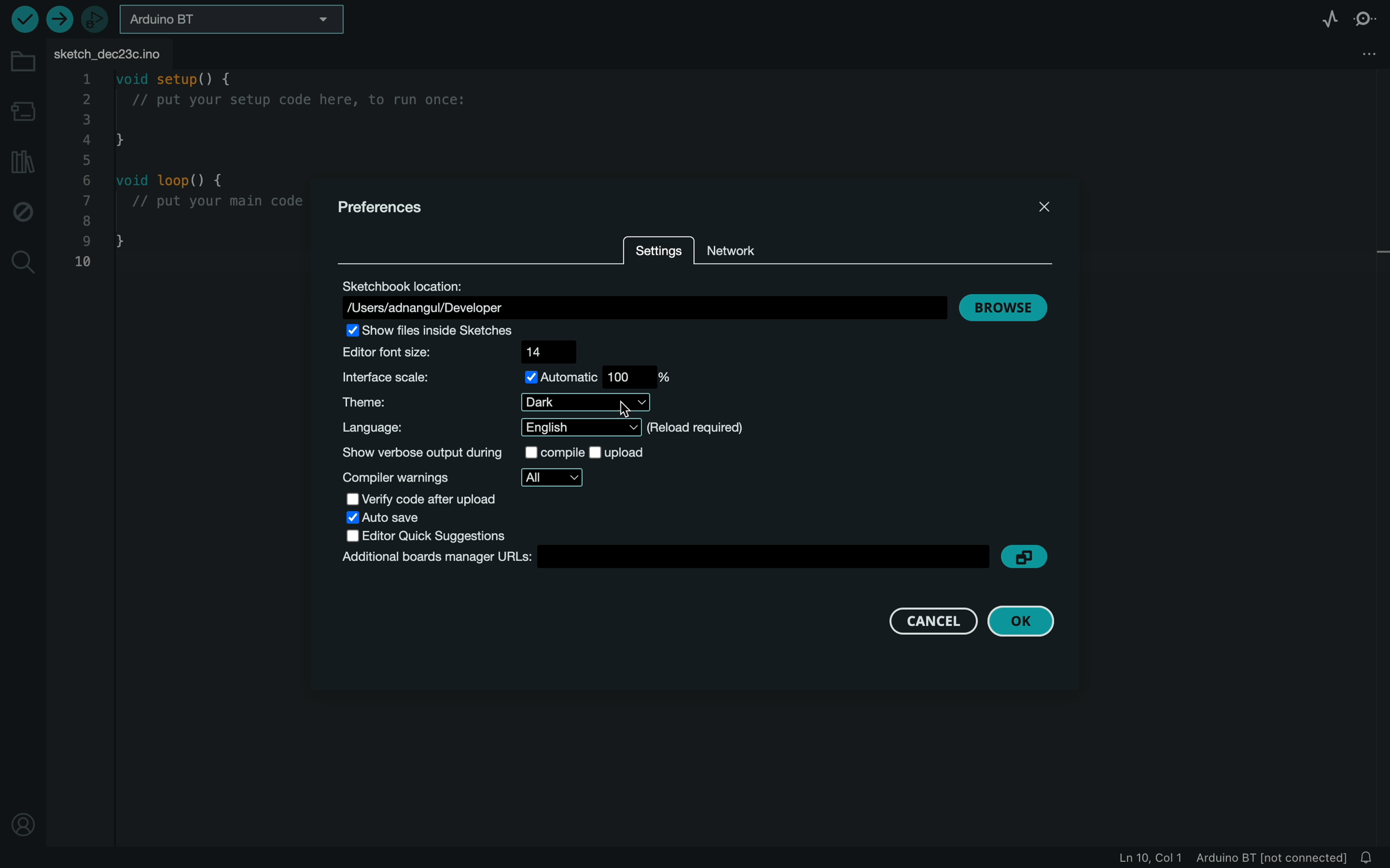 Image resolution: width=1390 pixels, height=868 pixels. I want to click on show output, so click(503, 455).